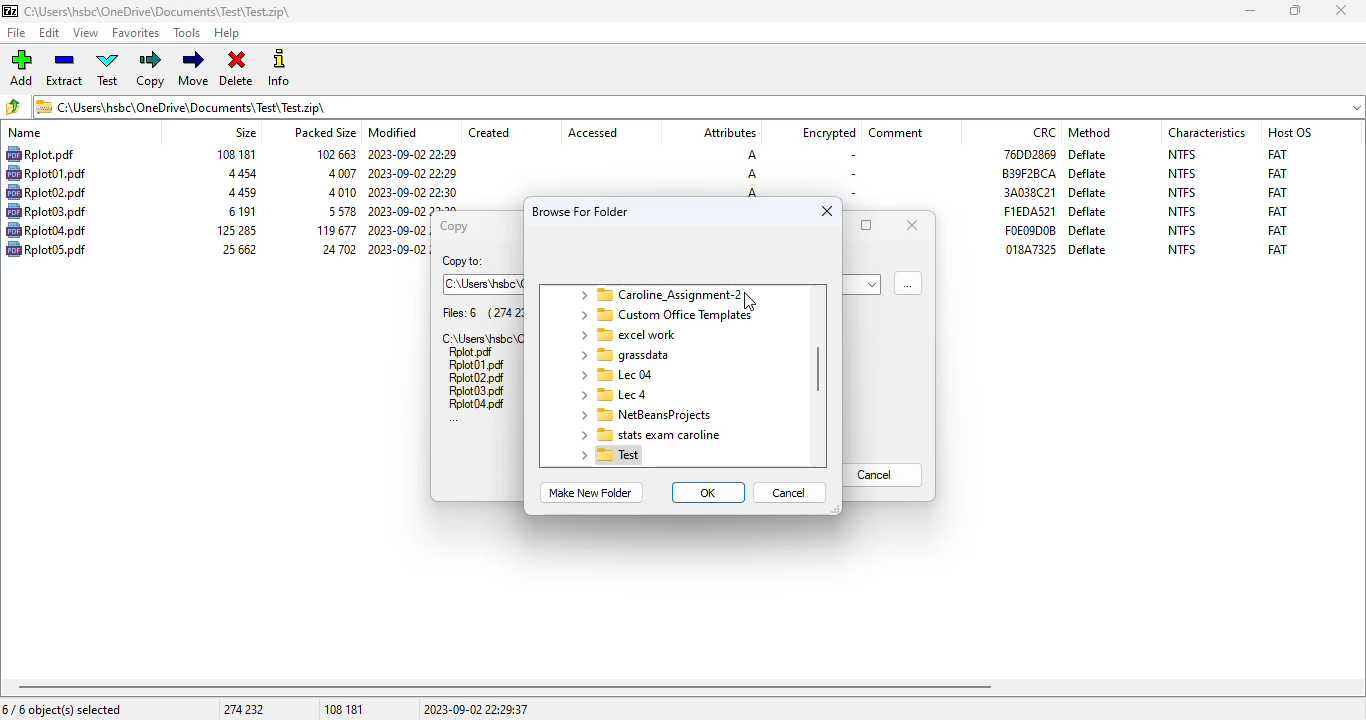 Image resolution: width=1366 pixels, height=720 pixels. I want to click on  comment, so click(896, 133).